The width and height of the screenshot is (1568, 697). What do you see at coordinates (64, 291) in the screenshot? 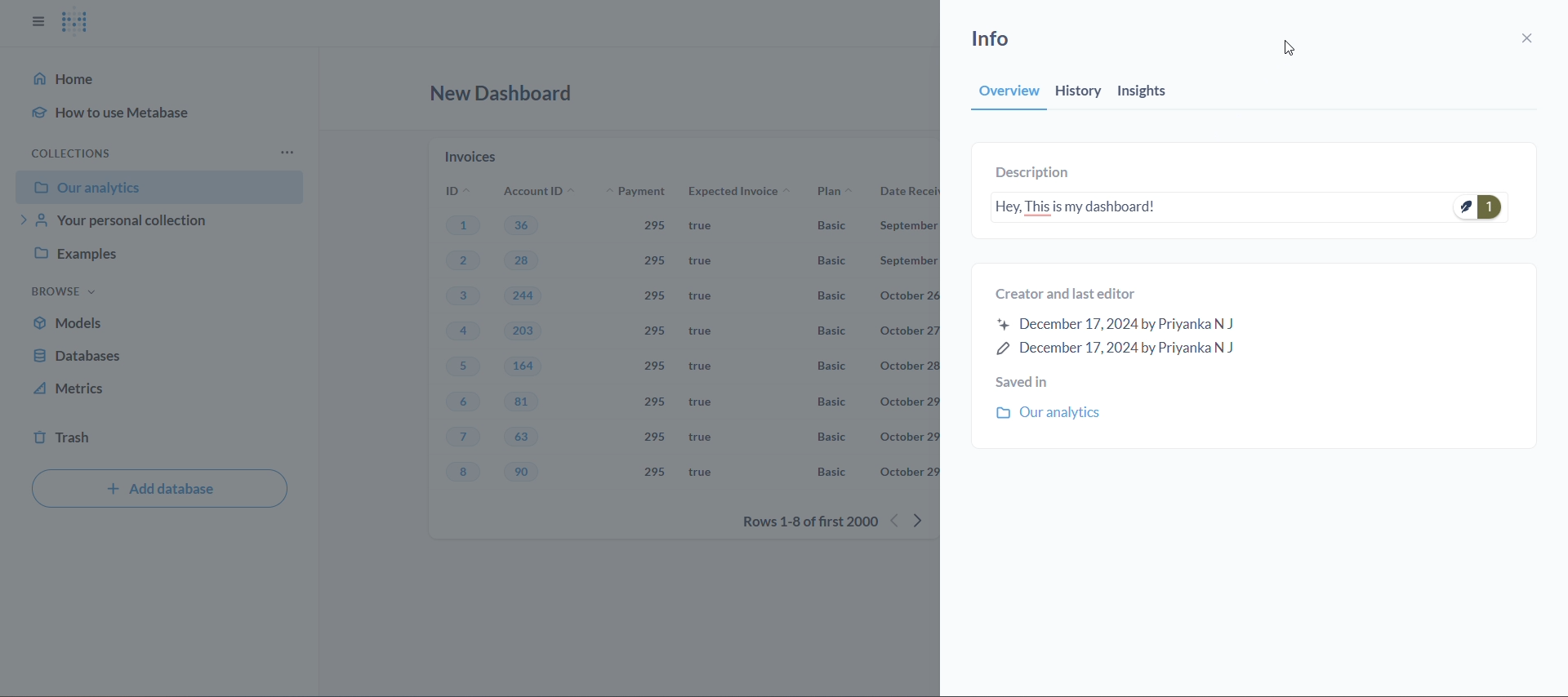
I see `browse` at bounding box center [64, 291].